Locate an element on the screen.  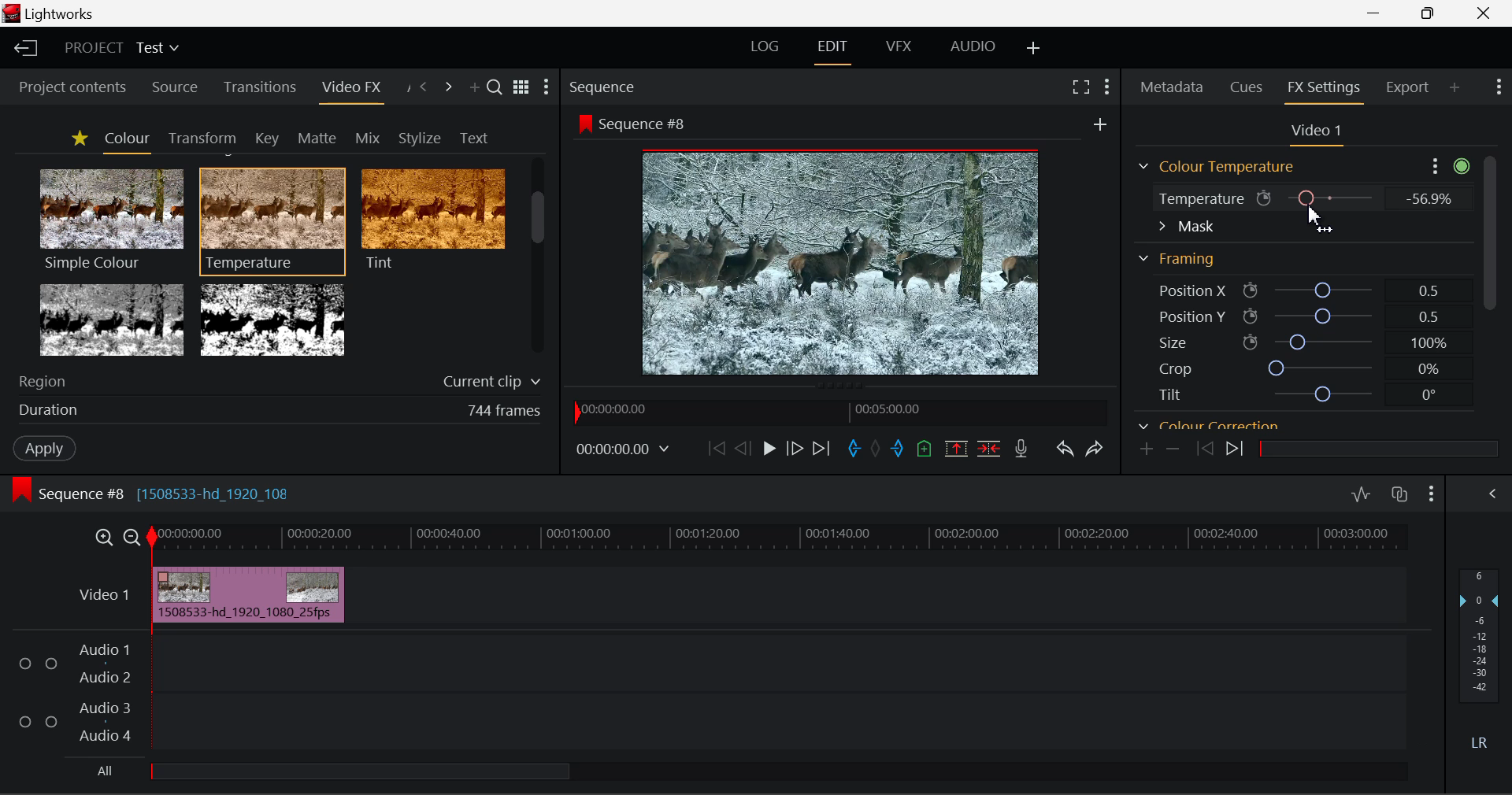
Stylize is located at coordinates (420, 136).